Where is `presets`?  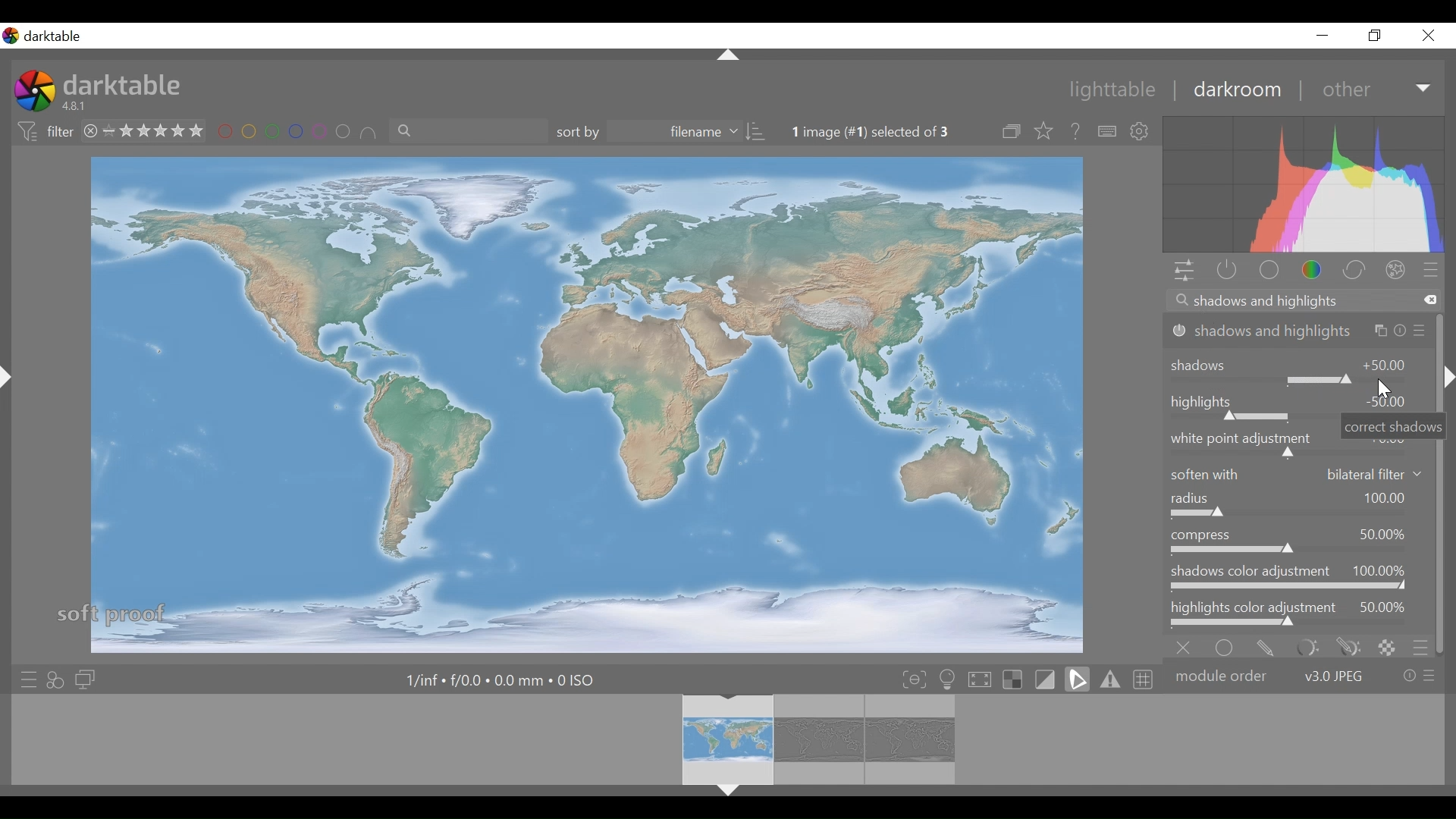 presets is located at coordinates (1436, 270).